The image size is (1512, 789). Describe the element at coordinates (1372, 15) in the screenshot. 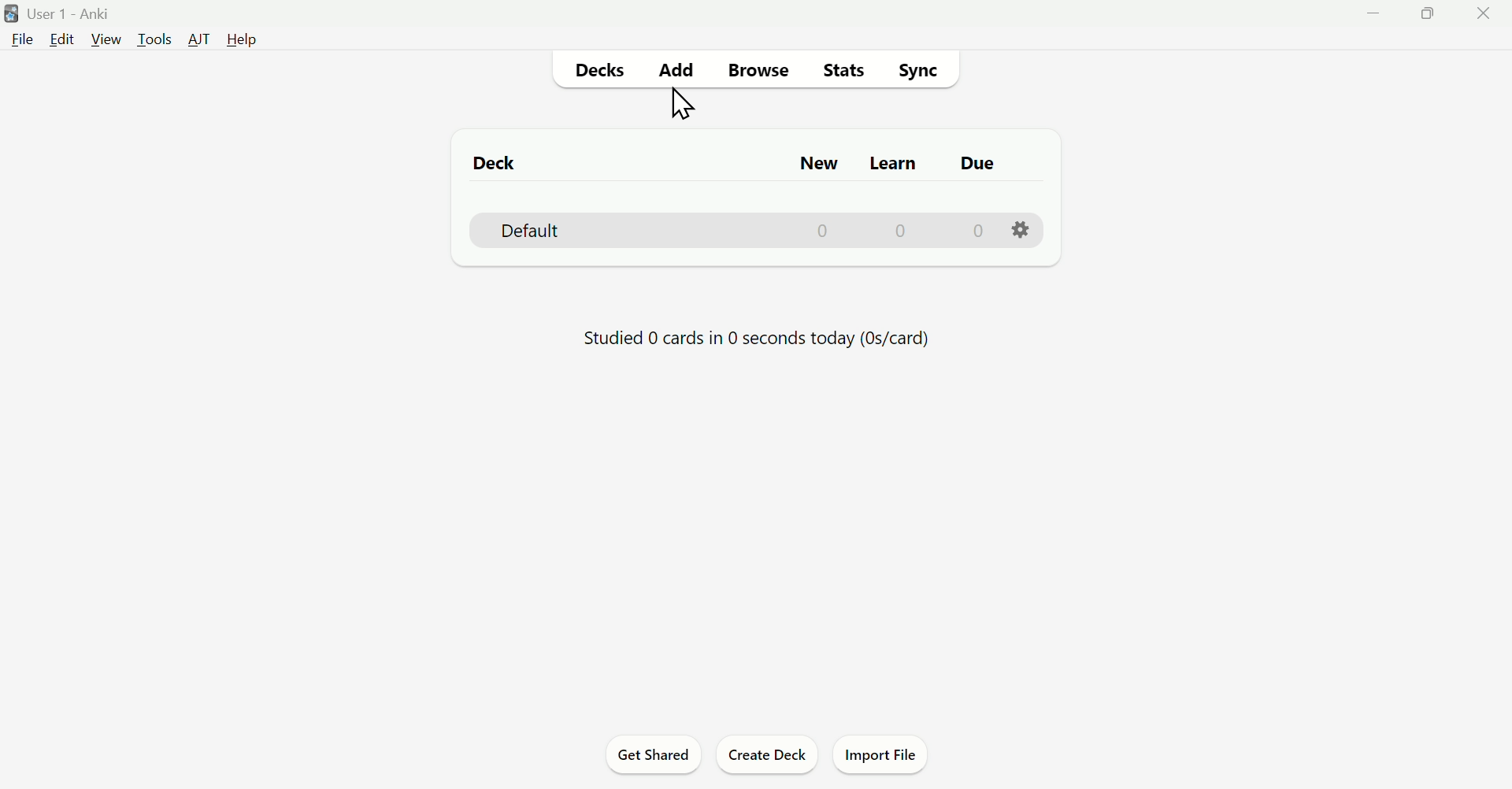

I see `minimize` at that location.